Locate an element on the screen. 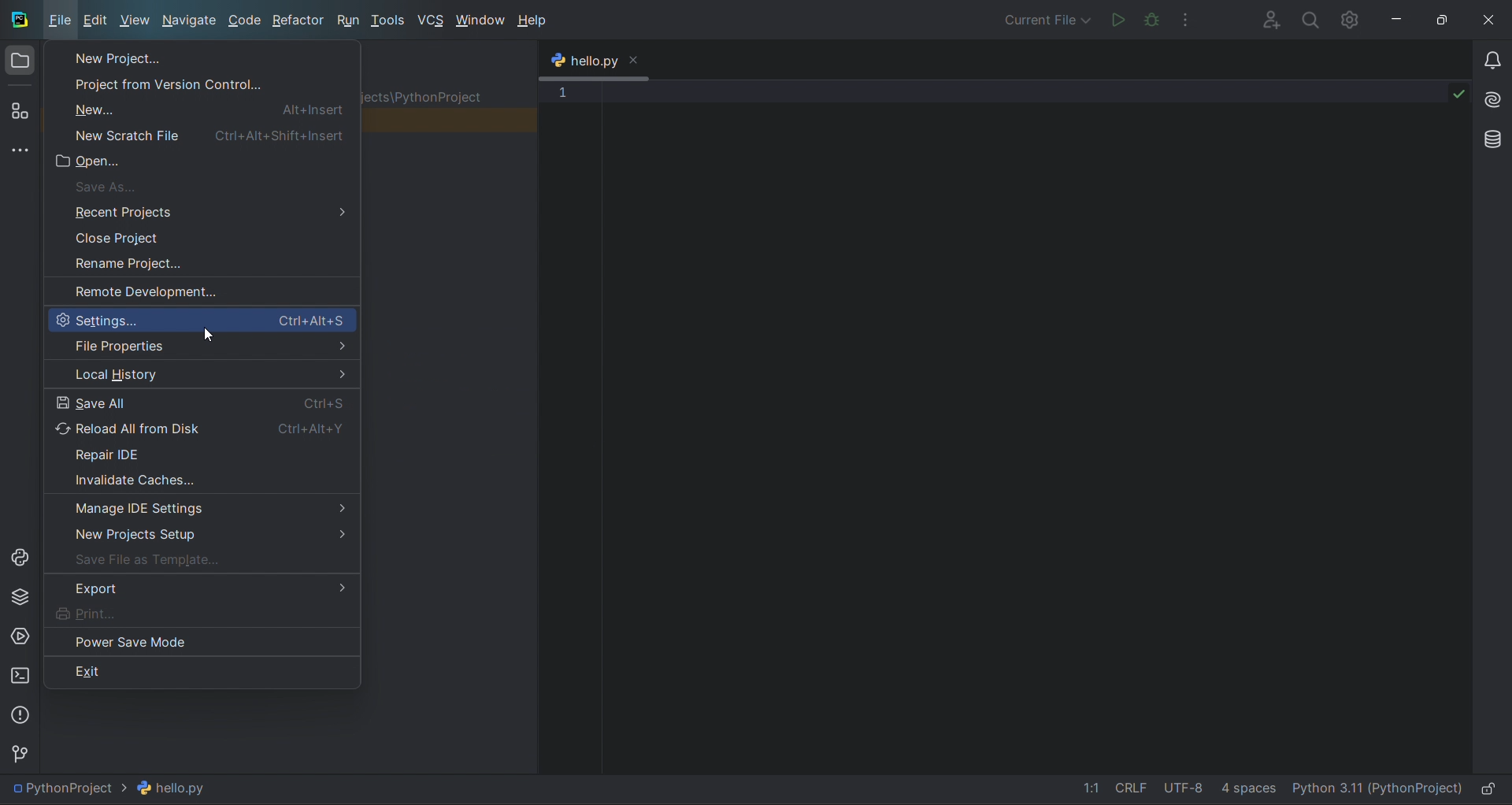 The image size is (1512, 805). repair ide is located at coordinates (206, 453).